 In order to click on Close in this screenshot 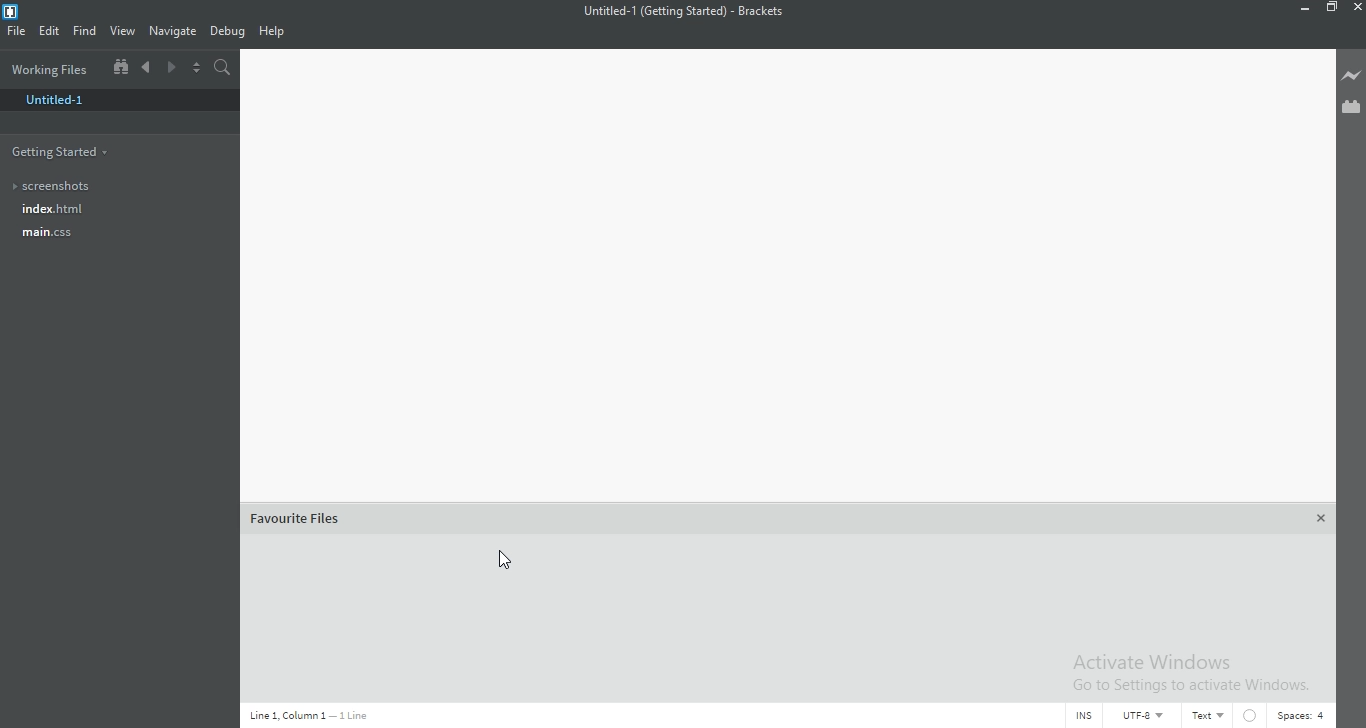, I will do `click(1324, 519)`.